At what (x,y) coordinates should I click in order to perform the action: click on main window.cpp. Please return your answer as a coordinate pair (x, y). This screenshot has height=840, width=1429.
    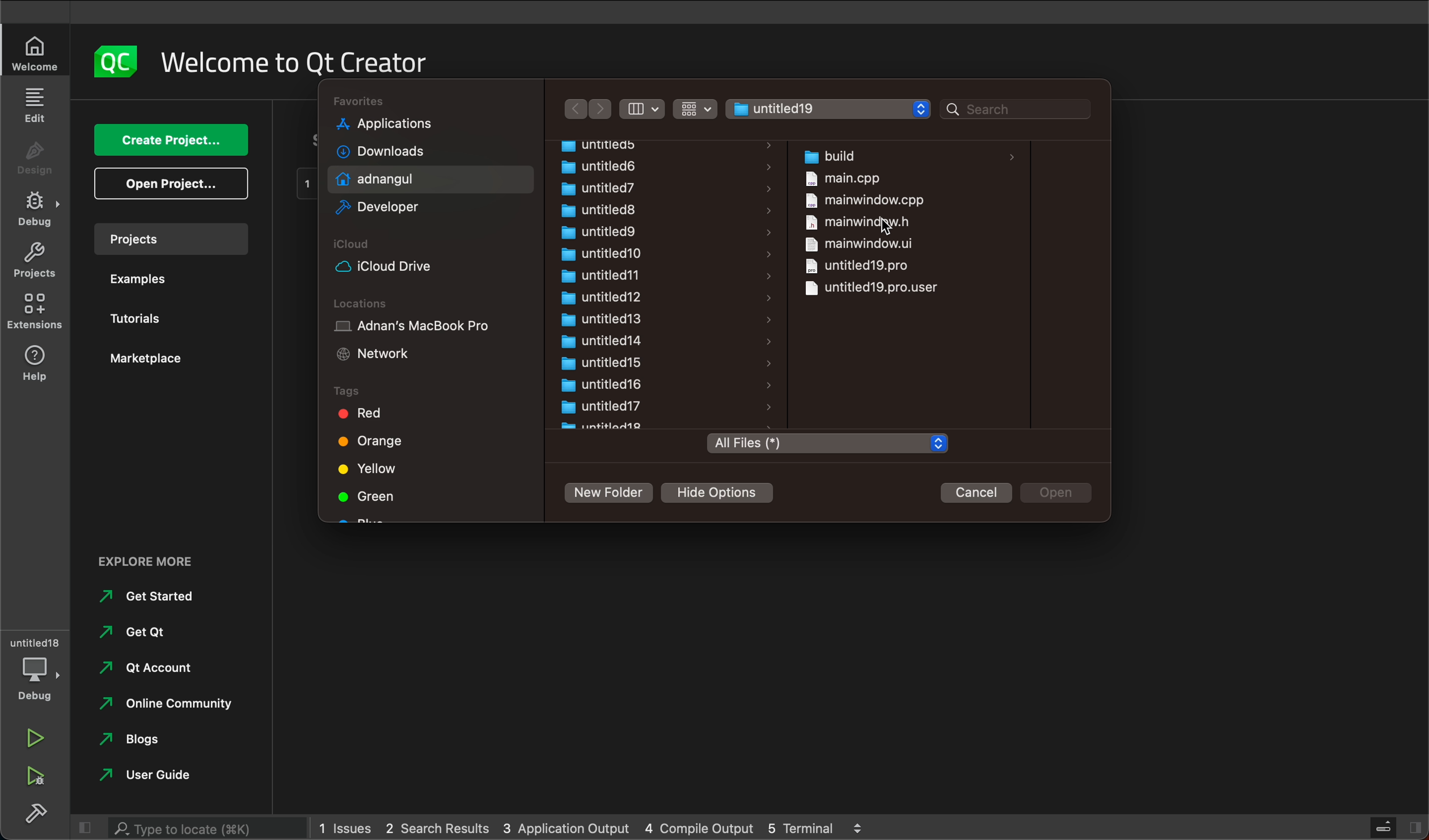
    Looking at the image, I should click on (864, 199).